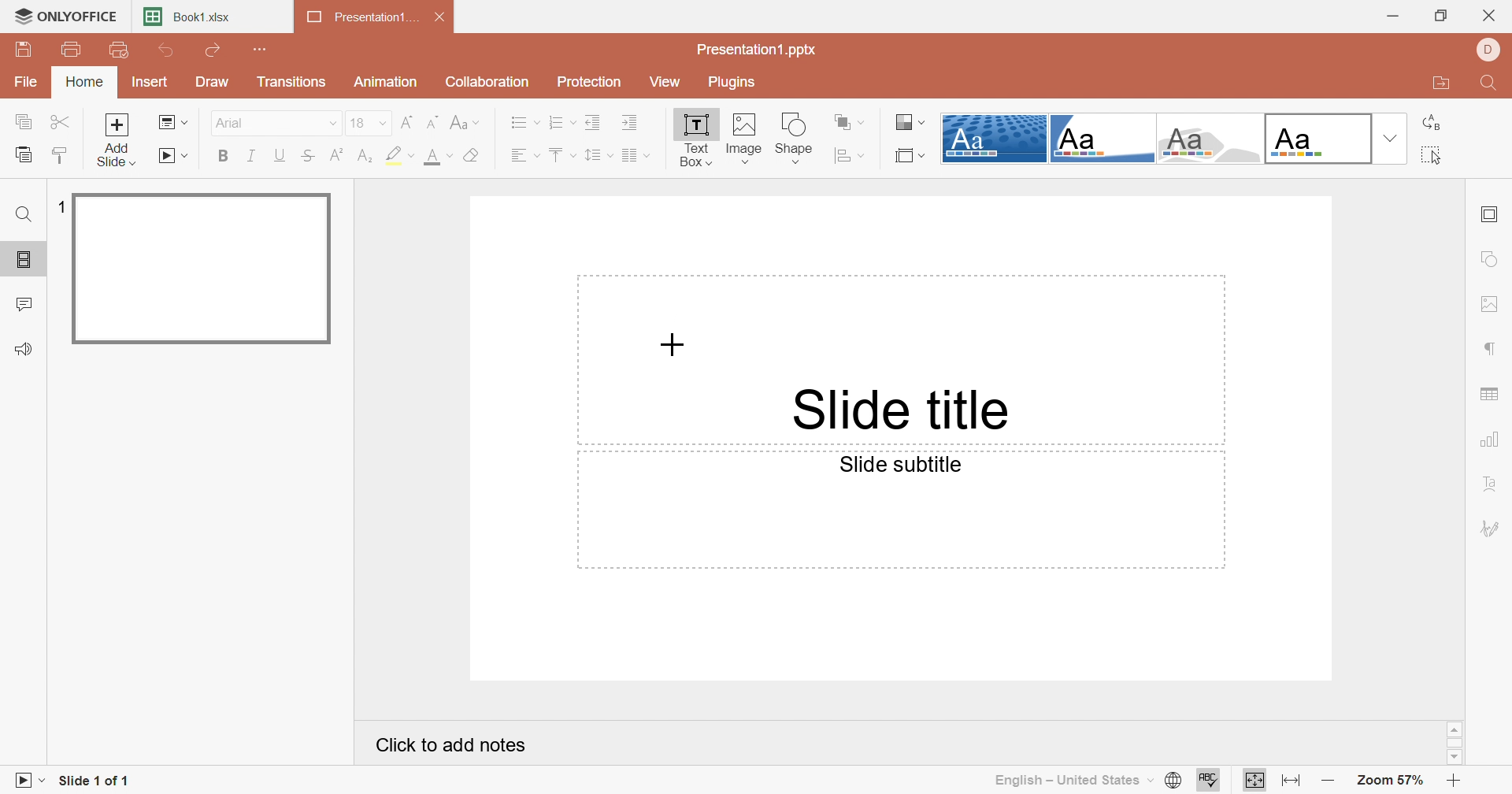 The height and width of the screenshot is (794, 1512). Describe the element at coordinates (561, 124) in the screenshot. I see `Numbering` at that location.